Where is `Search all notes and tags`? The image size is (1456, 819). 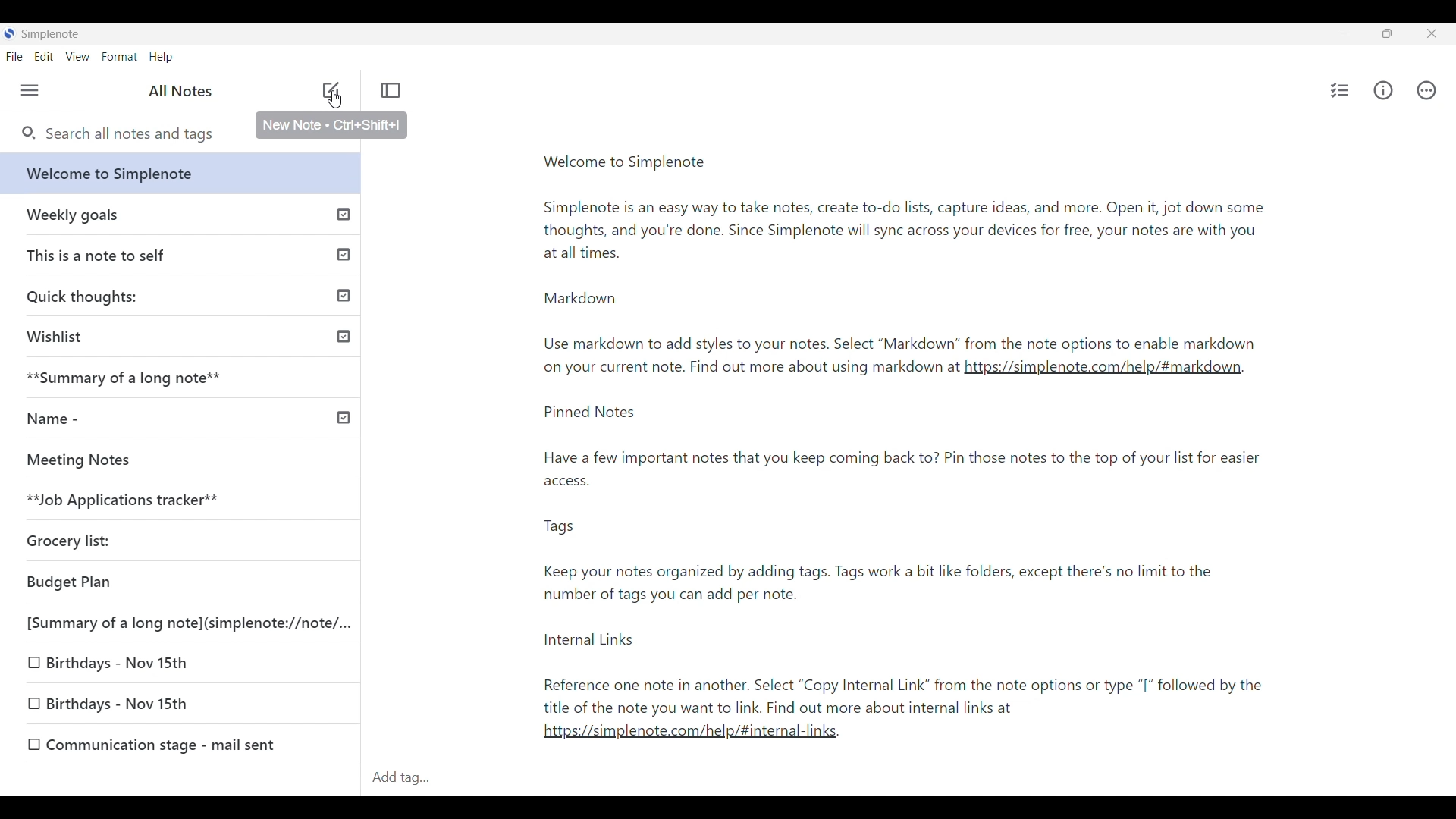
Search all notes and tags is located at coordinates (116, 132).